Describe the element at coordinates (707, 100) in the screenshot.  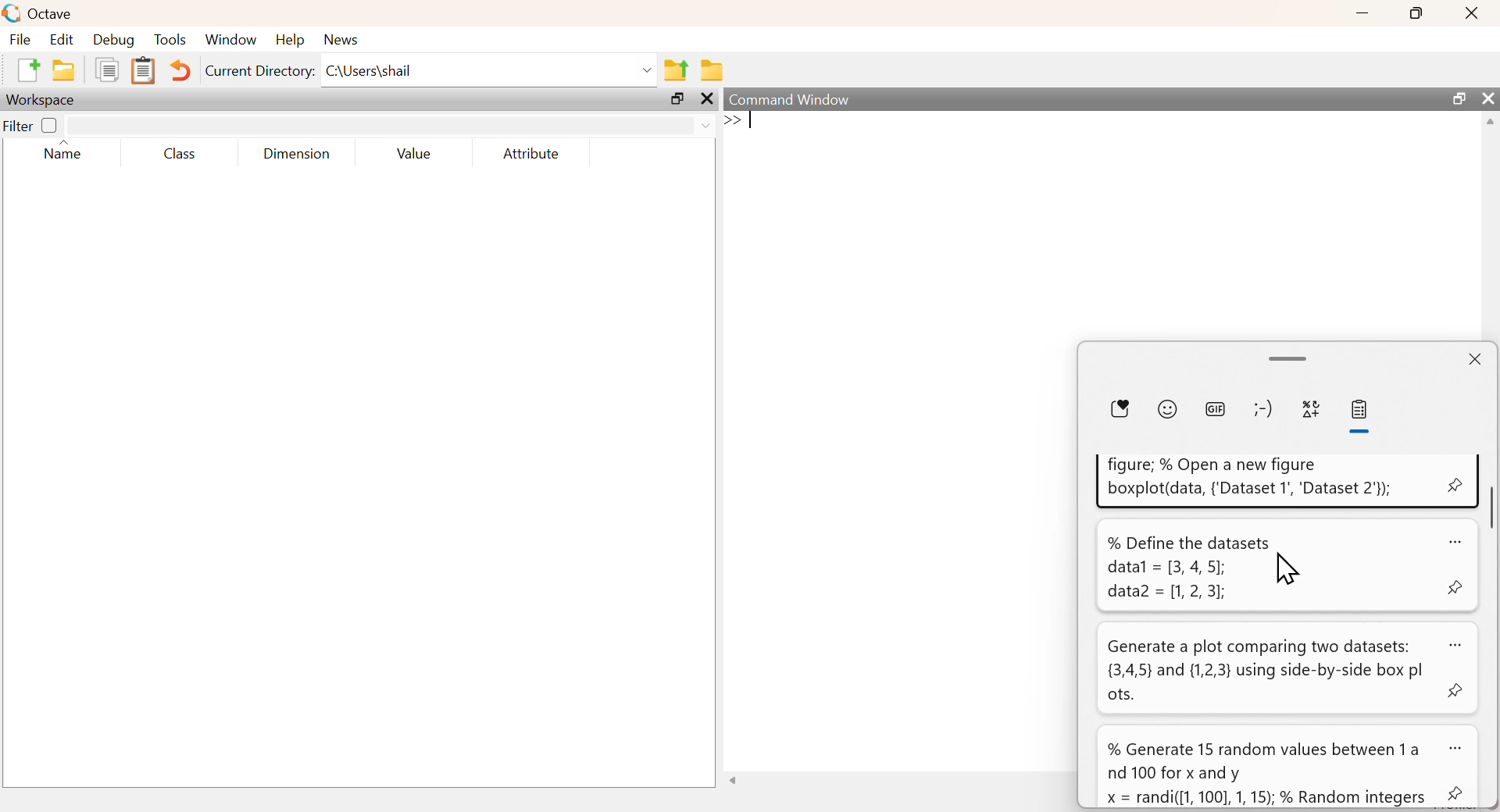
I see `close` at that location.